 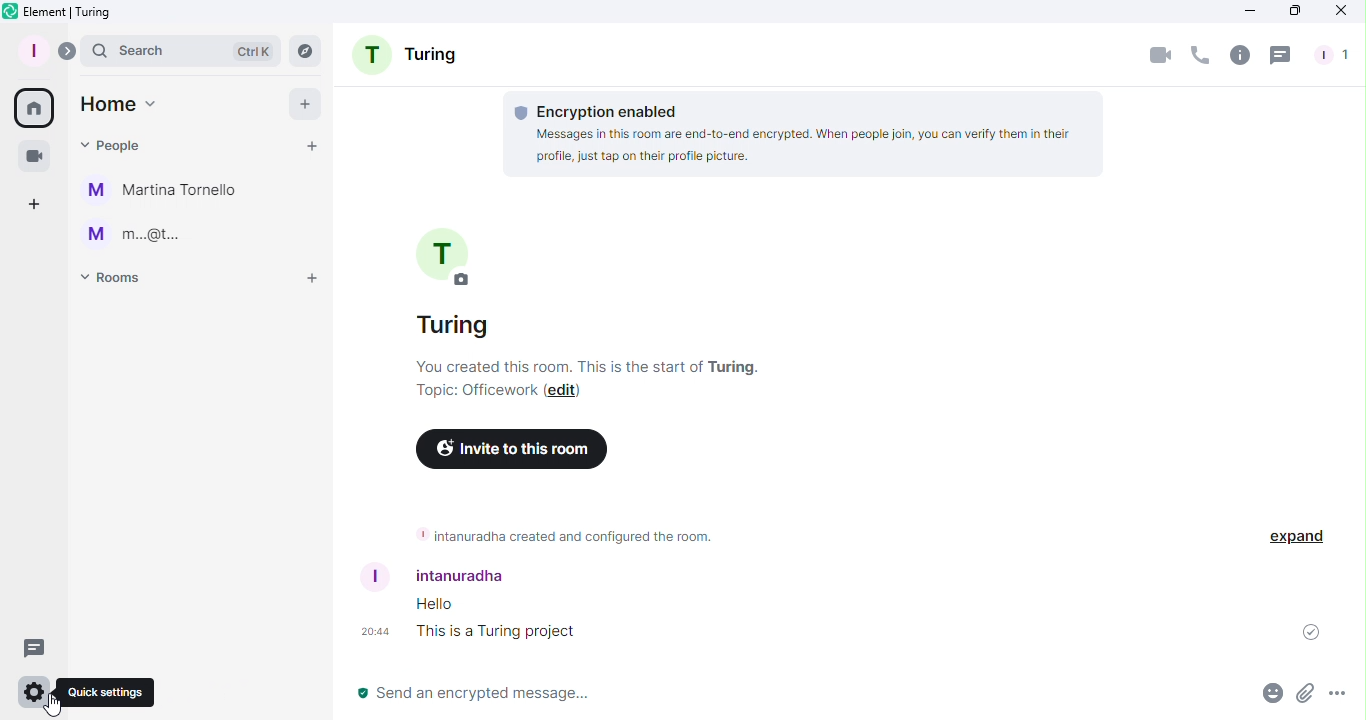 I want to click on Quick settings, so click(x=105, y=693).